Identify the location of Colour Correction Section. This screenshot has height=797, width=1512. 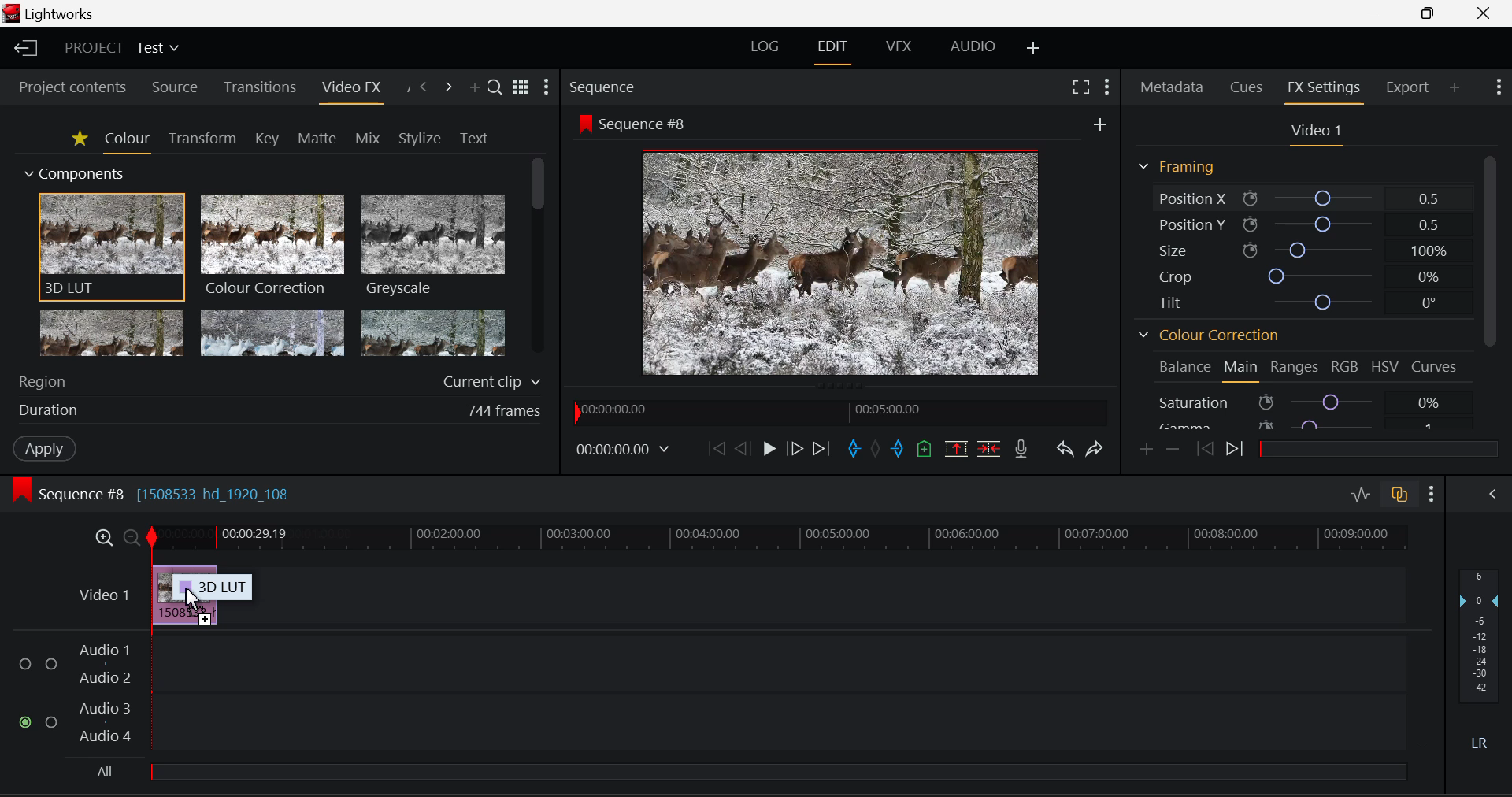
(1208, 335).